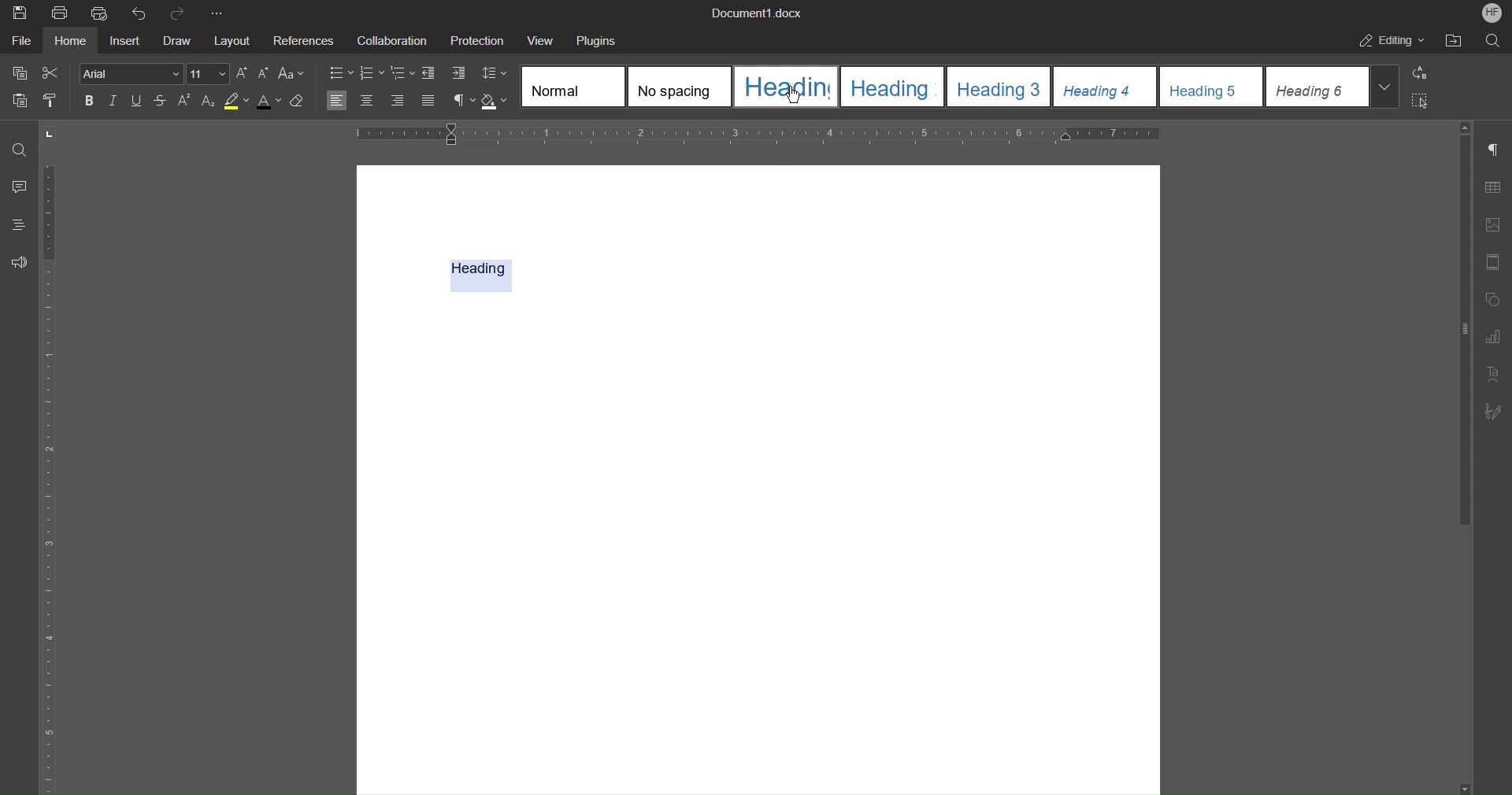  What do you see at coordinates (680, 86) in the screenshot?
I see `No spacing` at bounding box center [680, 86].